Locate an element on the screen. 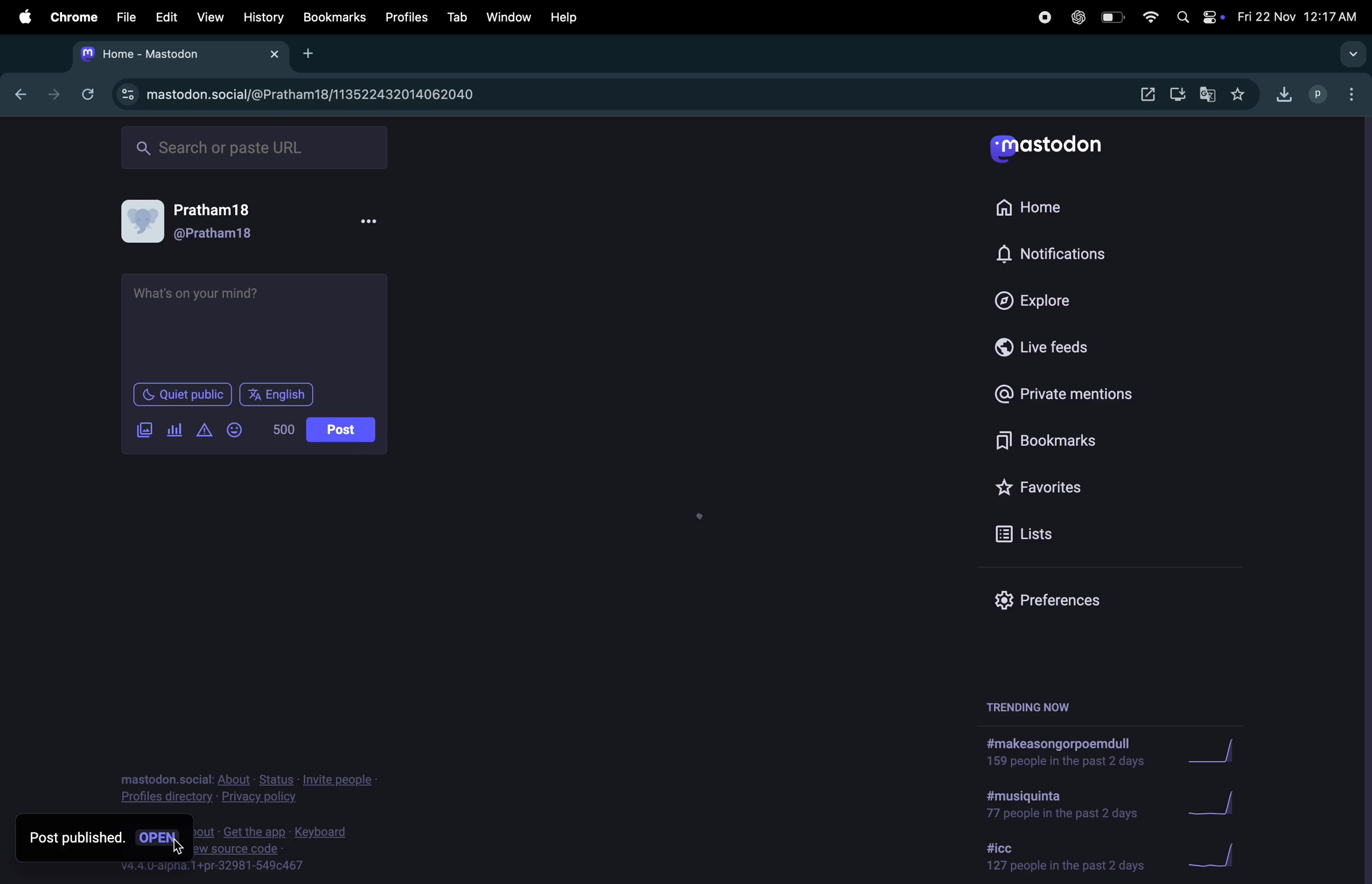 This screenshot has height=884, width=1372. mastodon tab is located at coordinates (181, 57).